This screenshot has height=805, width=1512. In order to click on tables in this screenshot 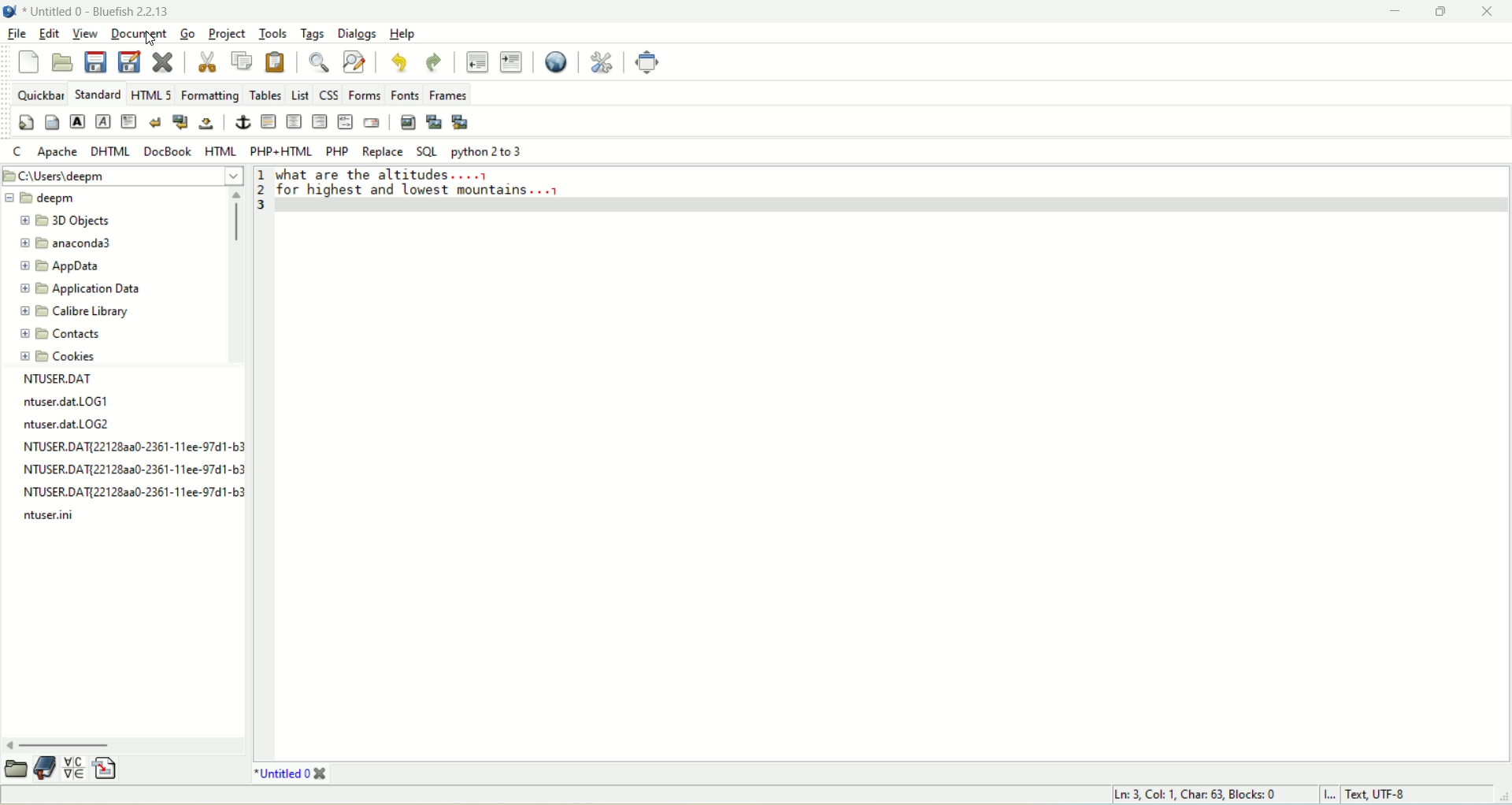, I will do `click(265, 94)`.